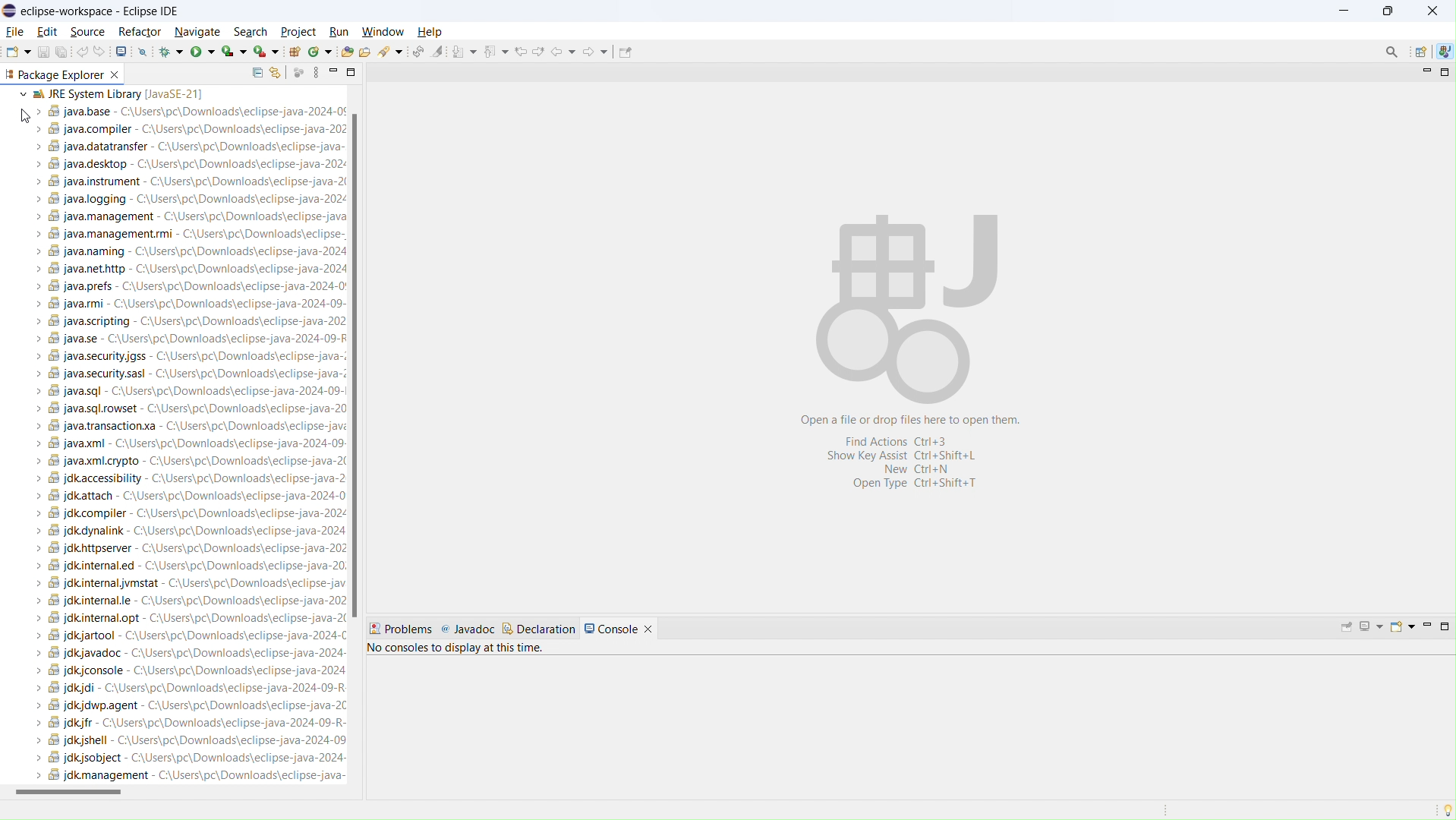 Image resolution: width=1456 pixels, height=820 pixels. Describe the element at coordinates (433, 30) in the screenshot. I see `help` at that location.